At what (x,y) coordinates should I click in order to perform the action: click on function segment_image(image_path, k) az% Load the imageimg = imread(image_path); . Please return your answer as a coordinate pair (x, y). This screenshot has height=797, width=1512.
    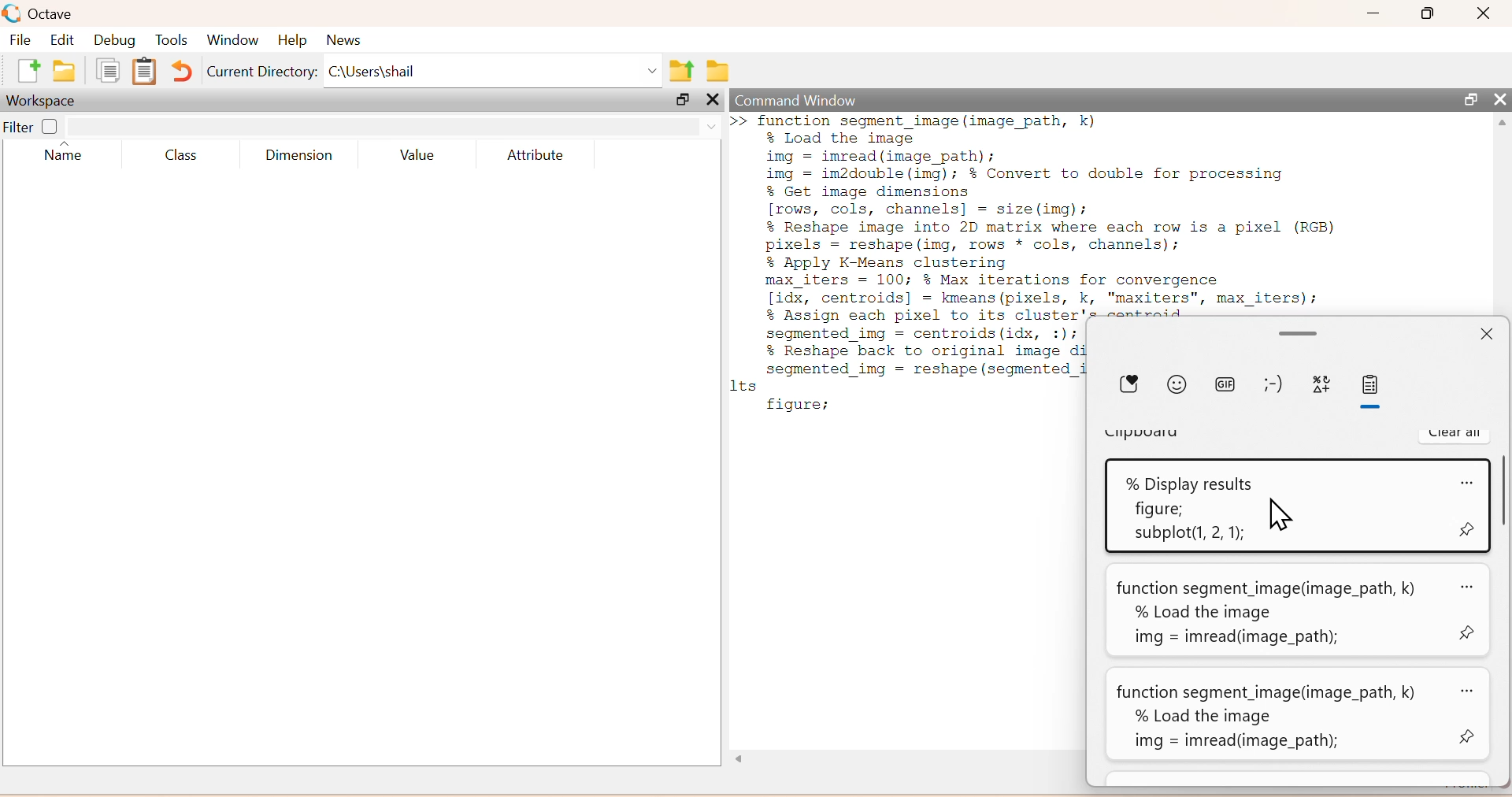
    Looking at the image, I should click on (1303, 717).